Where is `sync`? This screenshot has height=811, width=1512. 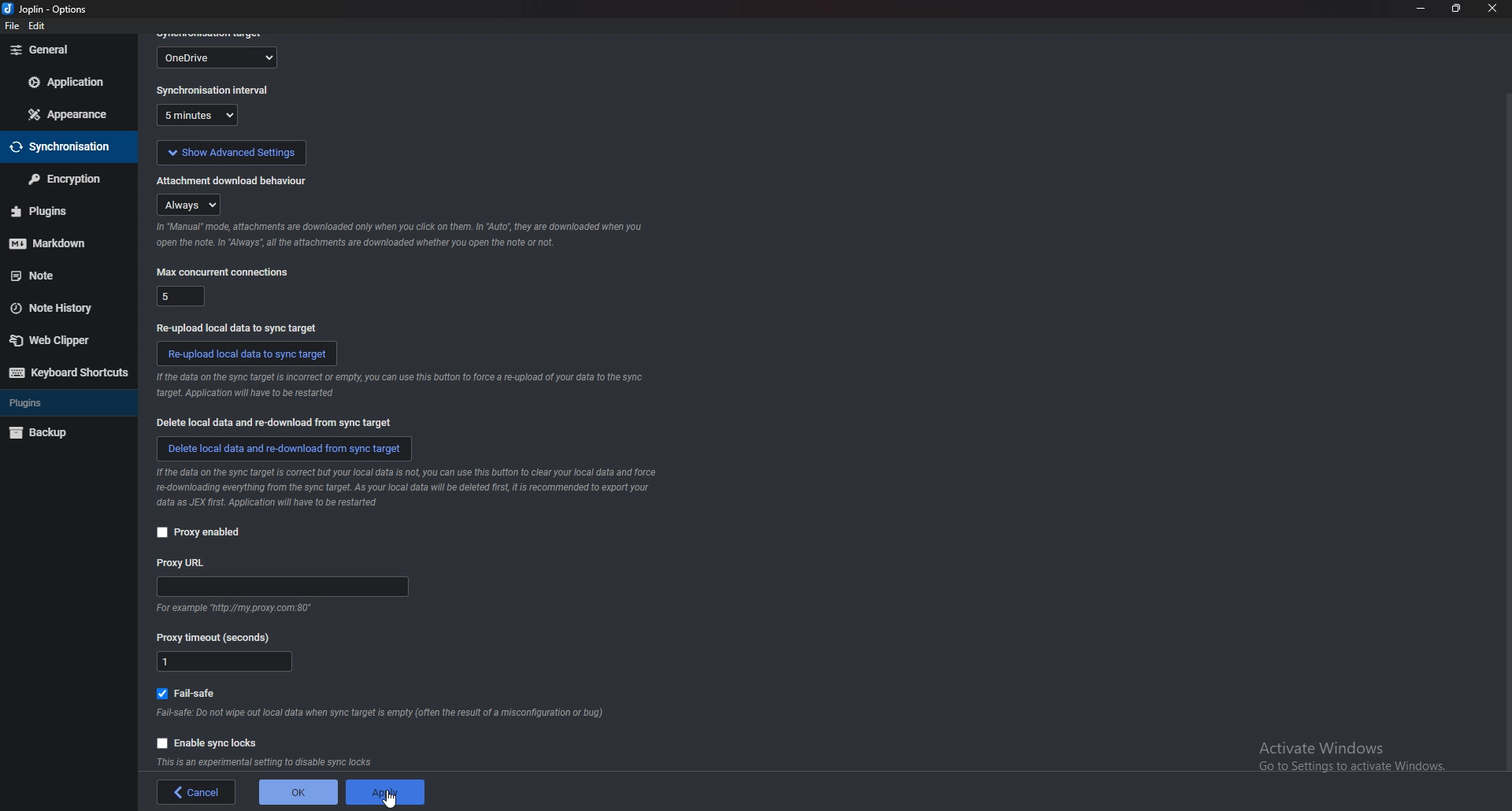
sync is located at coordinates (64, 148).